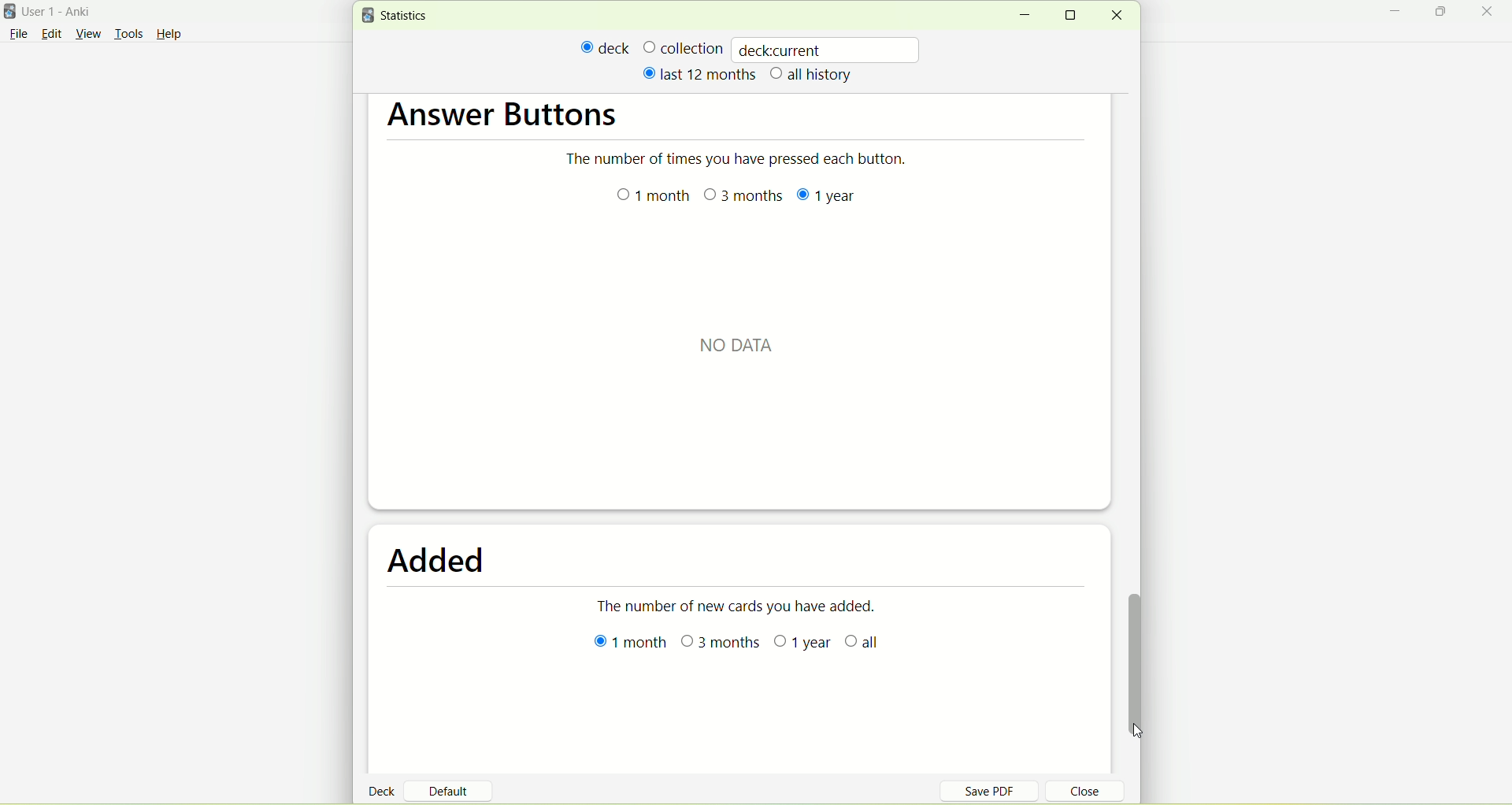 This screenshot has height=805, width=1512. I want to click on  months, so click(739, 195).